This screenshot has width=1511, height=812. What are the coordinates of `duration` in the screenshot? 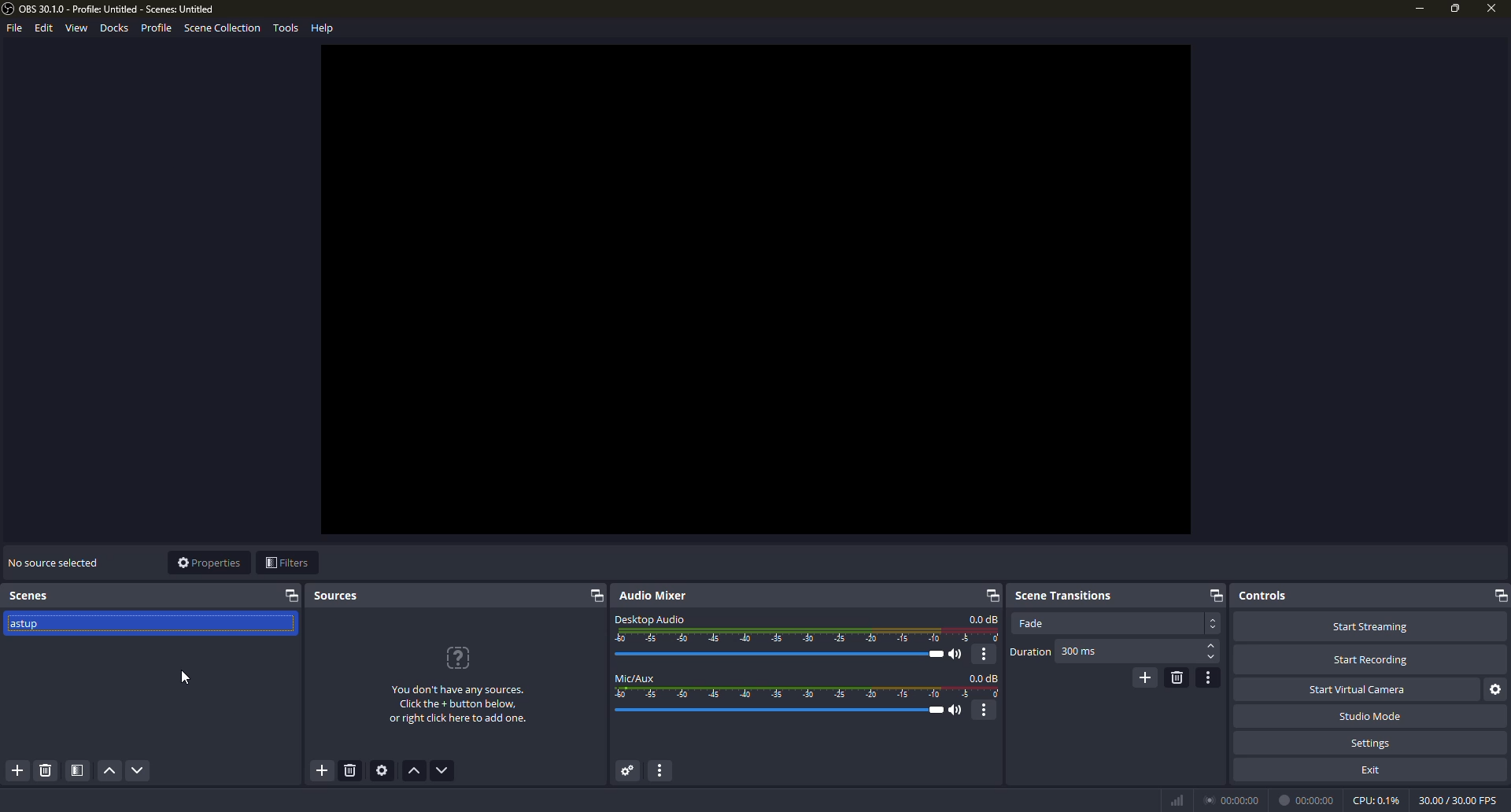 It's located at (1030, 652).